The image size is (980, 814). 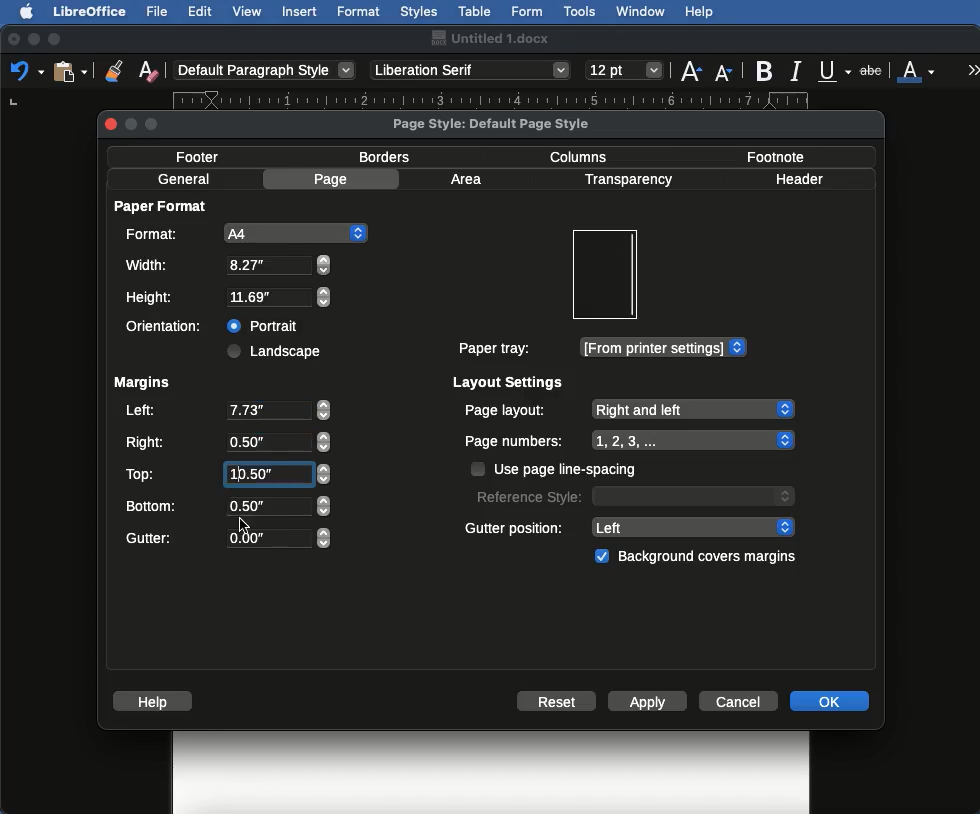 I want to click on View, so click(x=248, y=11).